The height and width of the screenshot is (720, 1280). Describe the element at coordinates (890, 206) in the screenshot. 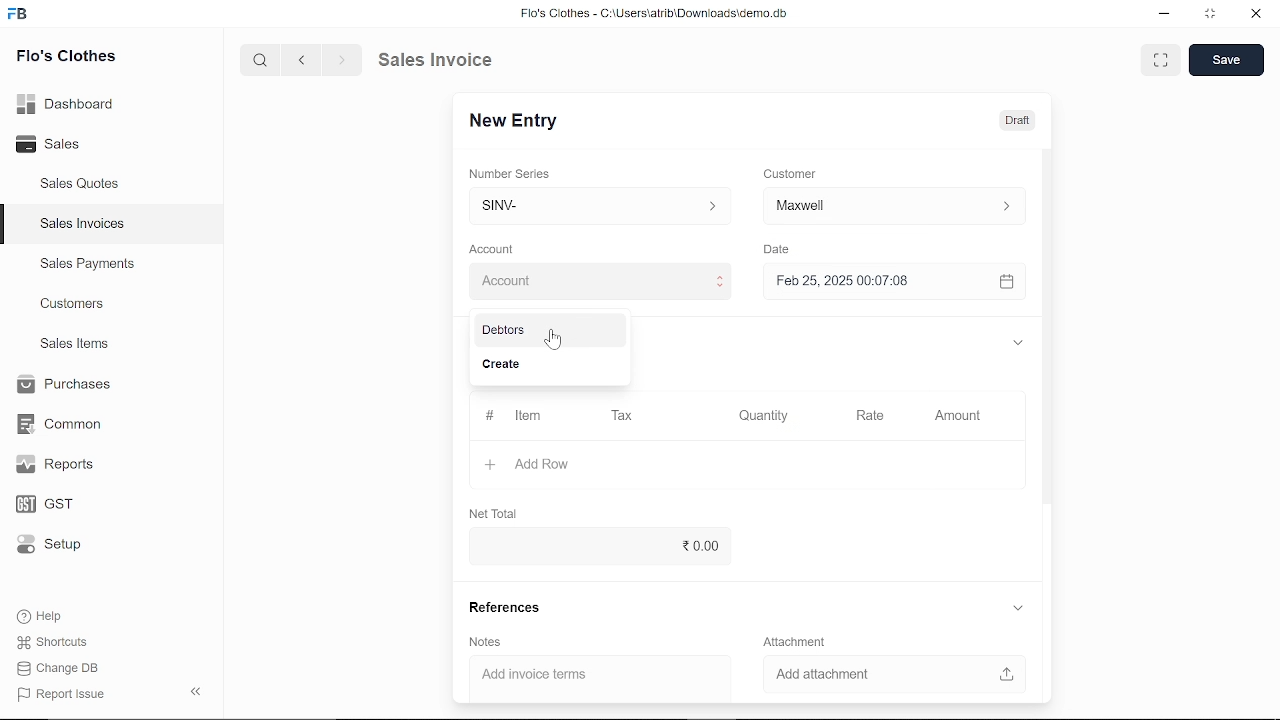

I see `Insert Customer` at that location.